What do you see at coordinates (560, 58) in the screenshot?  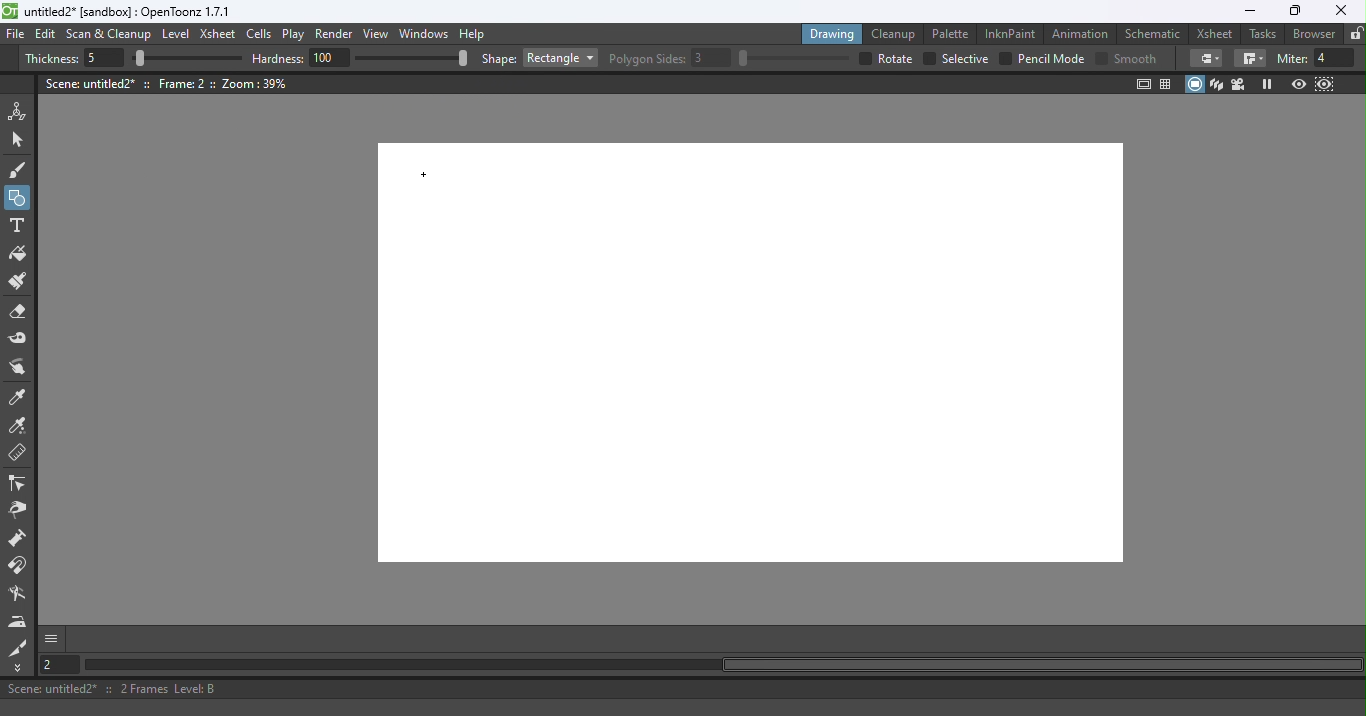 I see `Rectangle ` at bounding box center [560, 58].